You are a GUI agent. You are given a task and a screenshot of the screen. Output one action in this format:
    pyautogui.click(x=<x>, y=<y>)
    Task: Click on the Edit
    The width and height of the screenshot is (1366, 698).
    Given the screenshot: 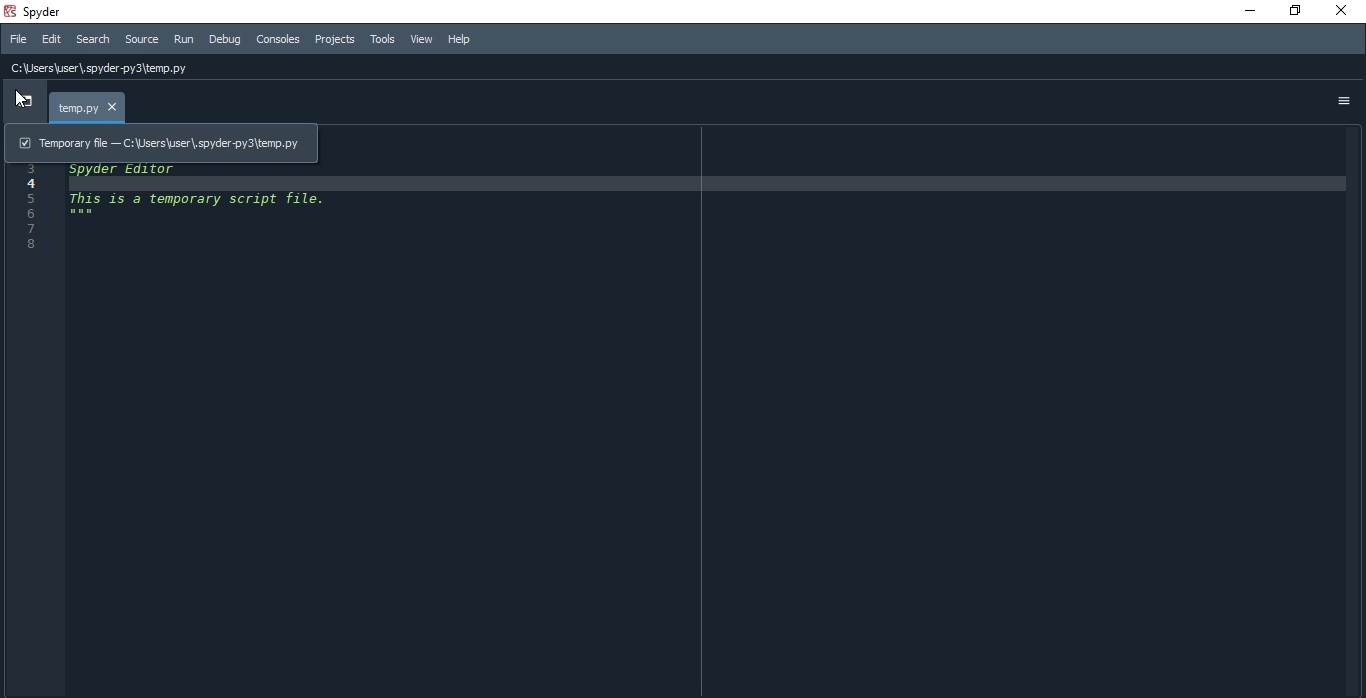 What is the action you would take?
    pyautogui.click(x=53, y=39)
    